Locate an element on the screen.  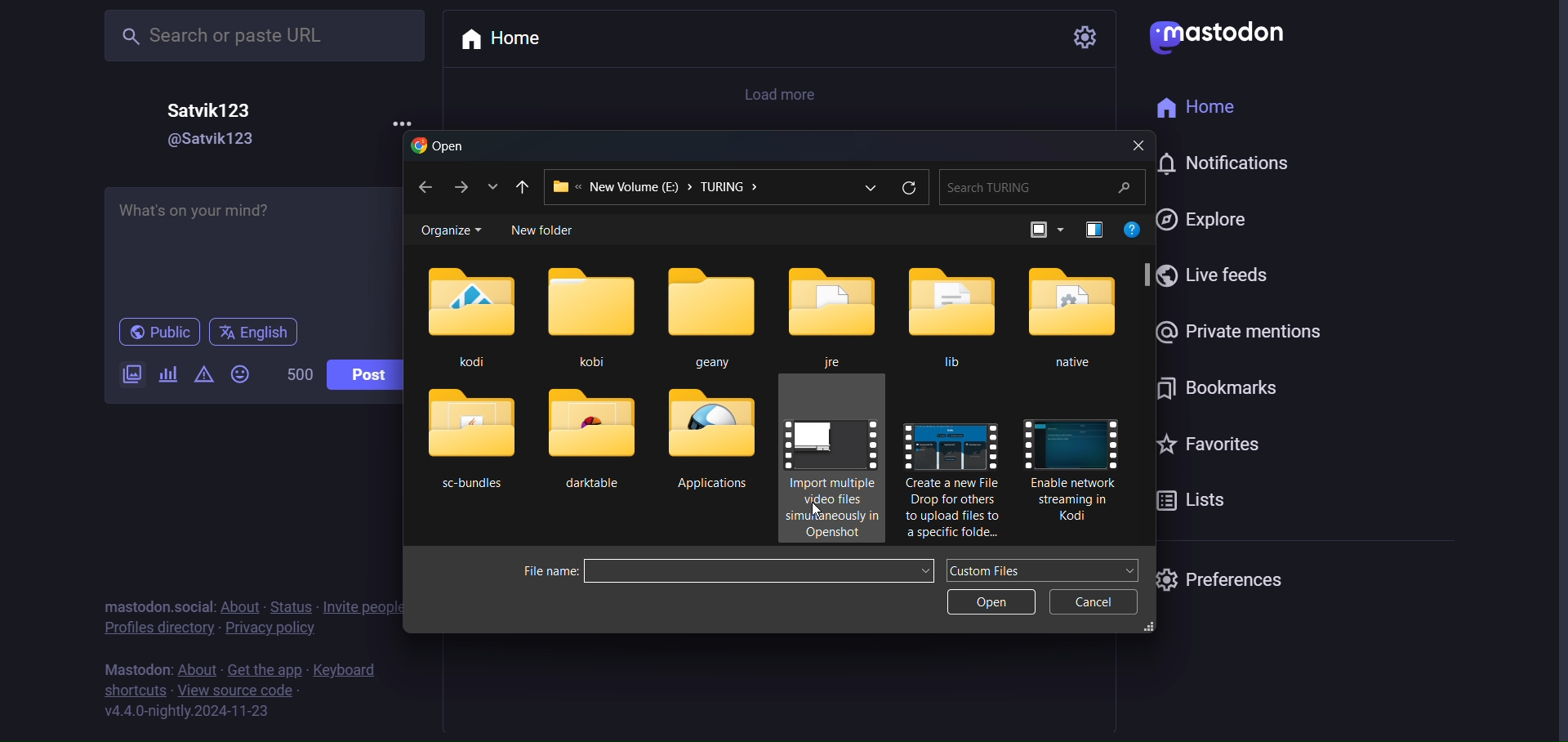
native is located at coordinates (1073, 320).